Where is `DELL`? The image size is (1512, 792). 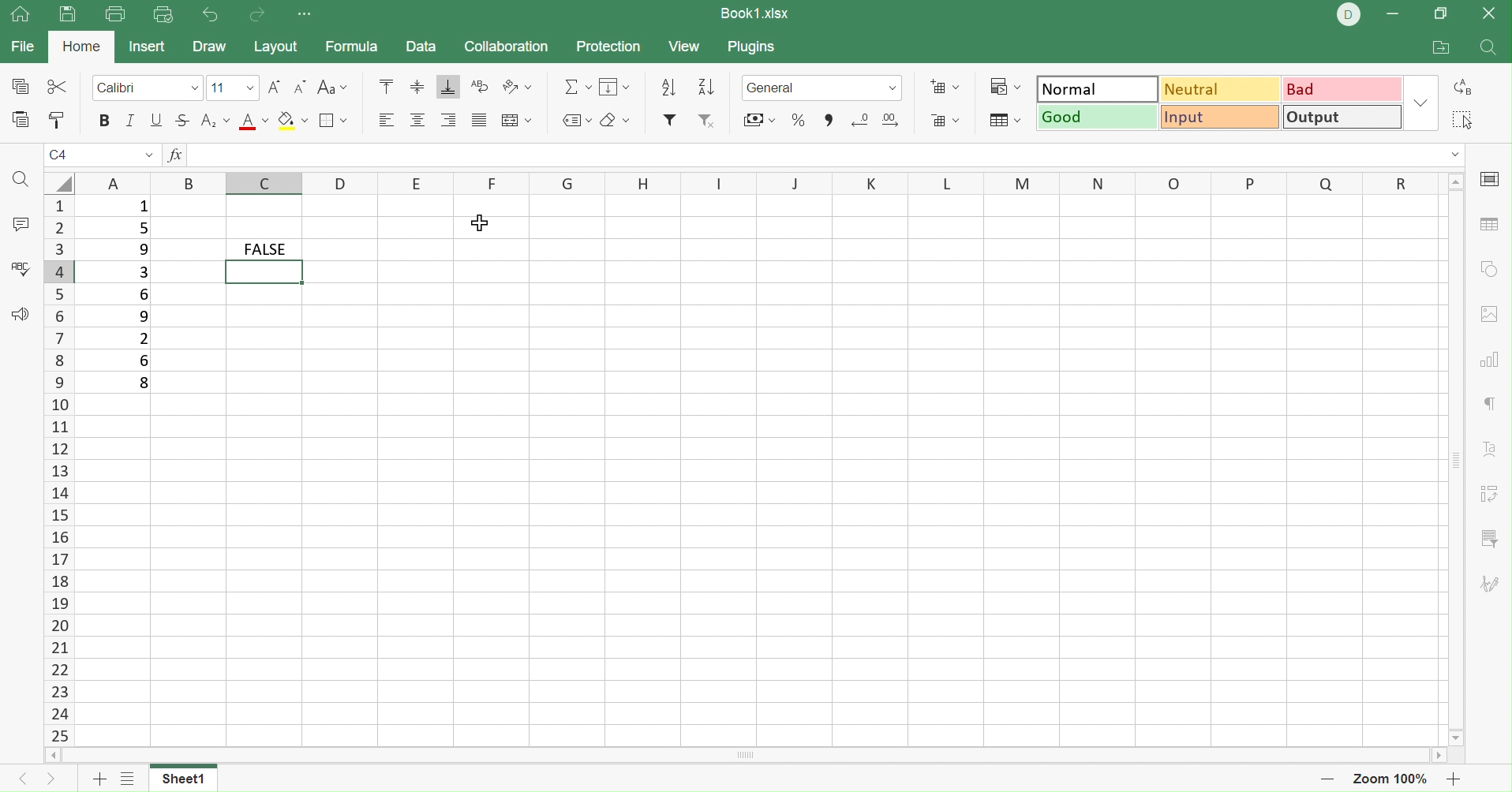
DELL is located at coordinates (1349, 14).